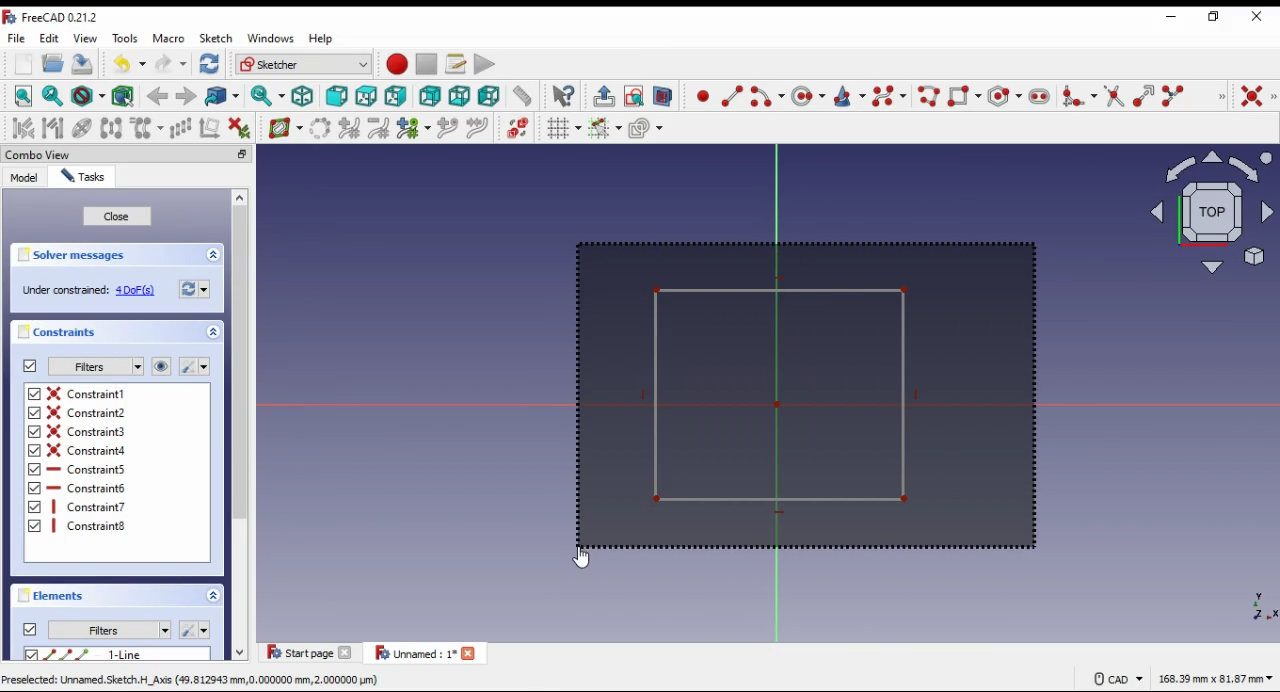  Describe the element at coordinates (109, 630) in the screenshot. I see `filters` at that location.